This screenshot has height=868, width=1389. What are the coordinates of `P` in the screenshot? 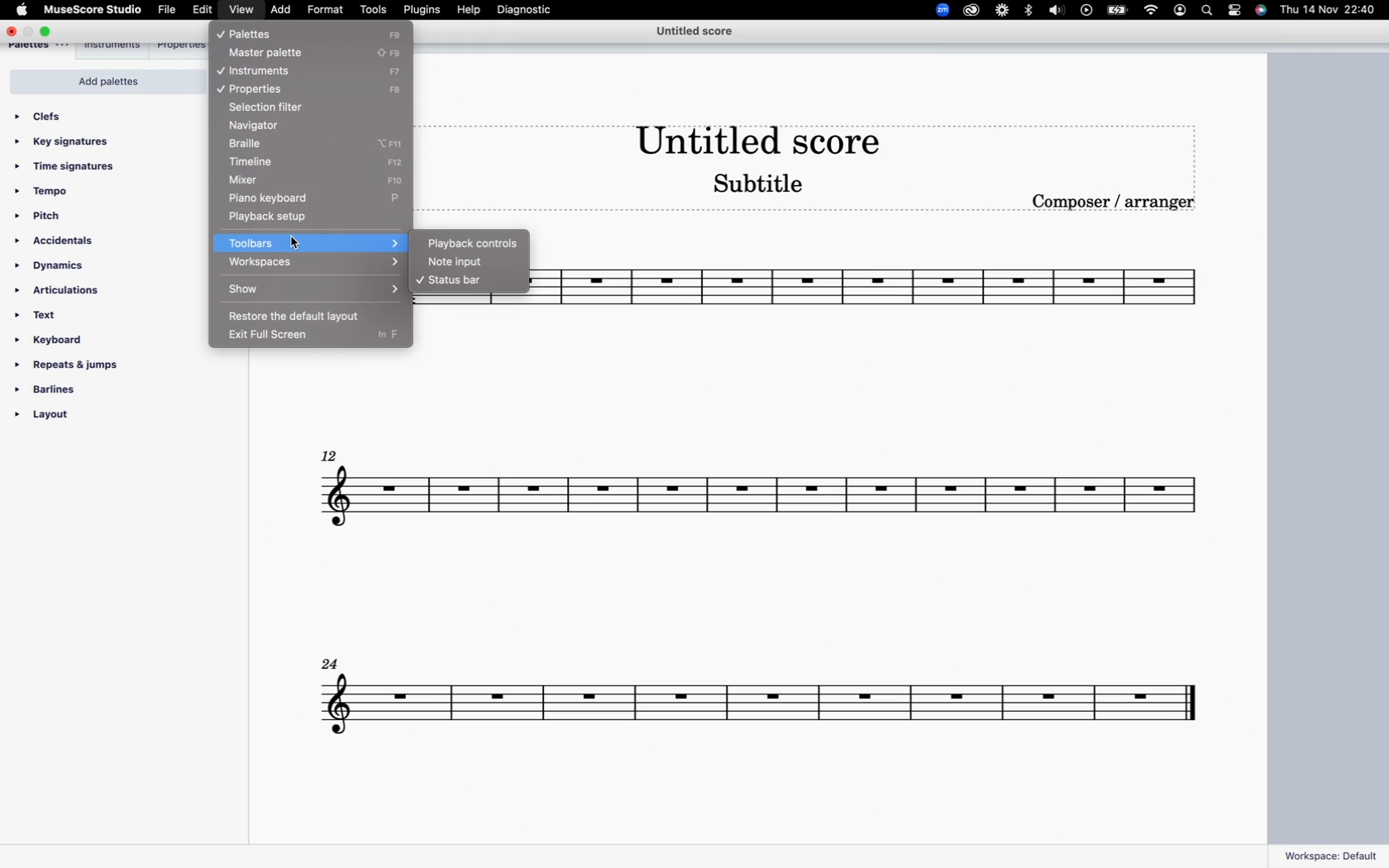 It's located at (399, 198).